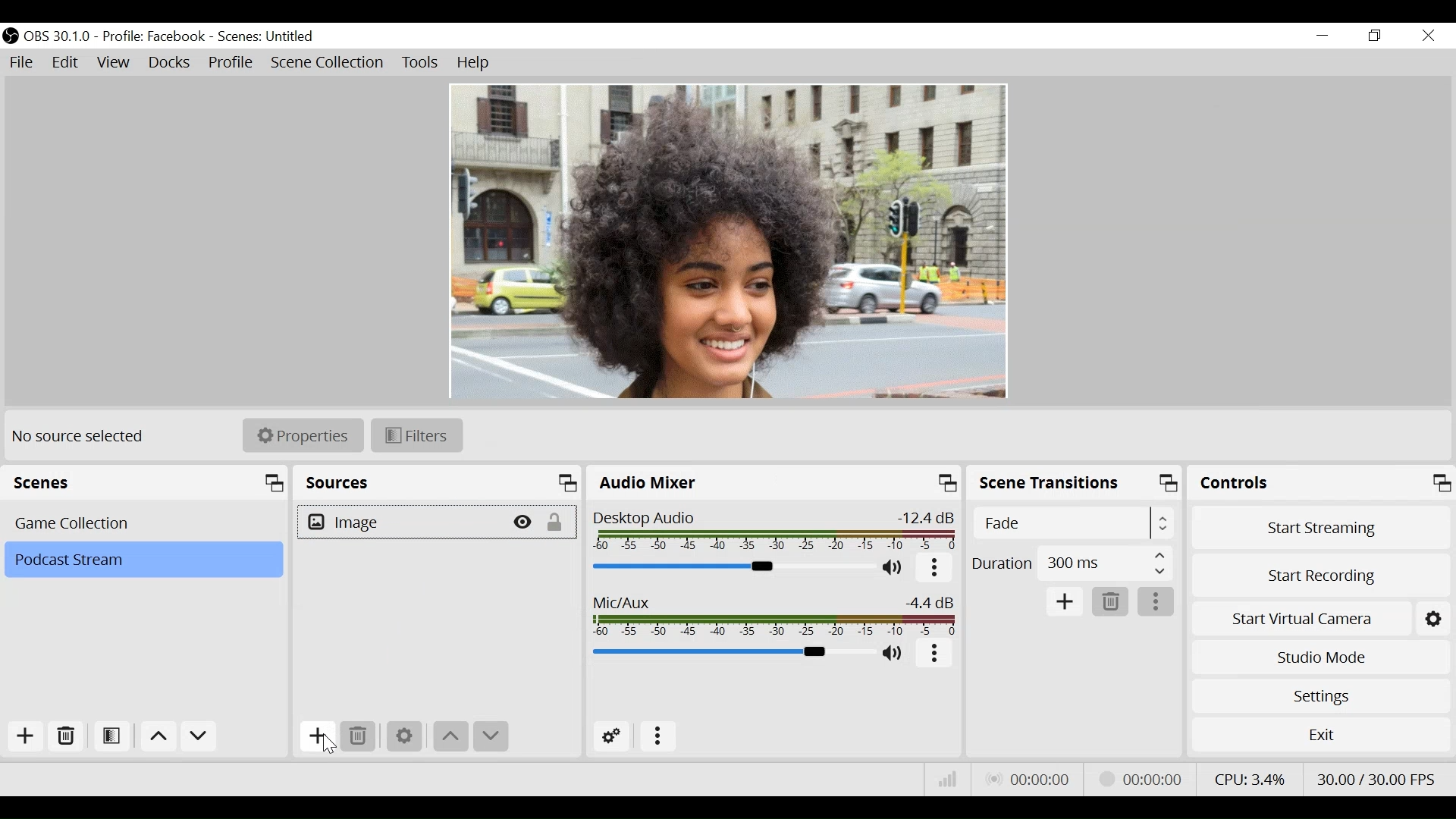 This screenshot has height=819, width=1456. What do you see at coordinates (1427, 36) in the screenshot?
I see `Close` at bounding box center [1427, 36].